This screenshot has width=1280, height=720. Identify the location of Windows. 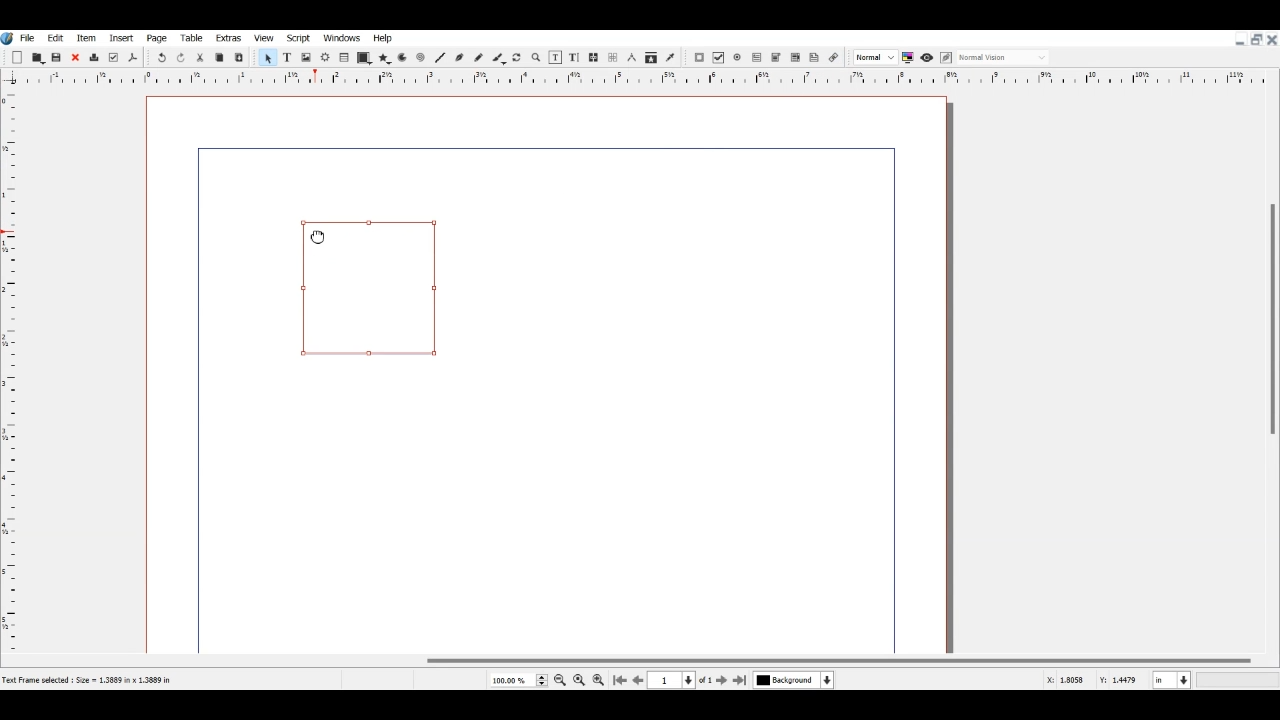
(343, 37).